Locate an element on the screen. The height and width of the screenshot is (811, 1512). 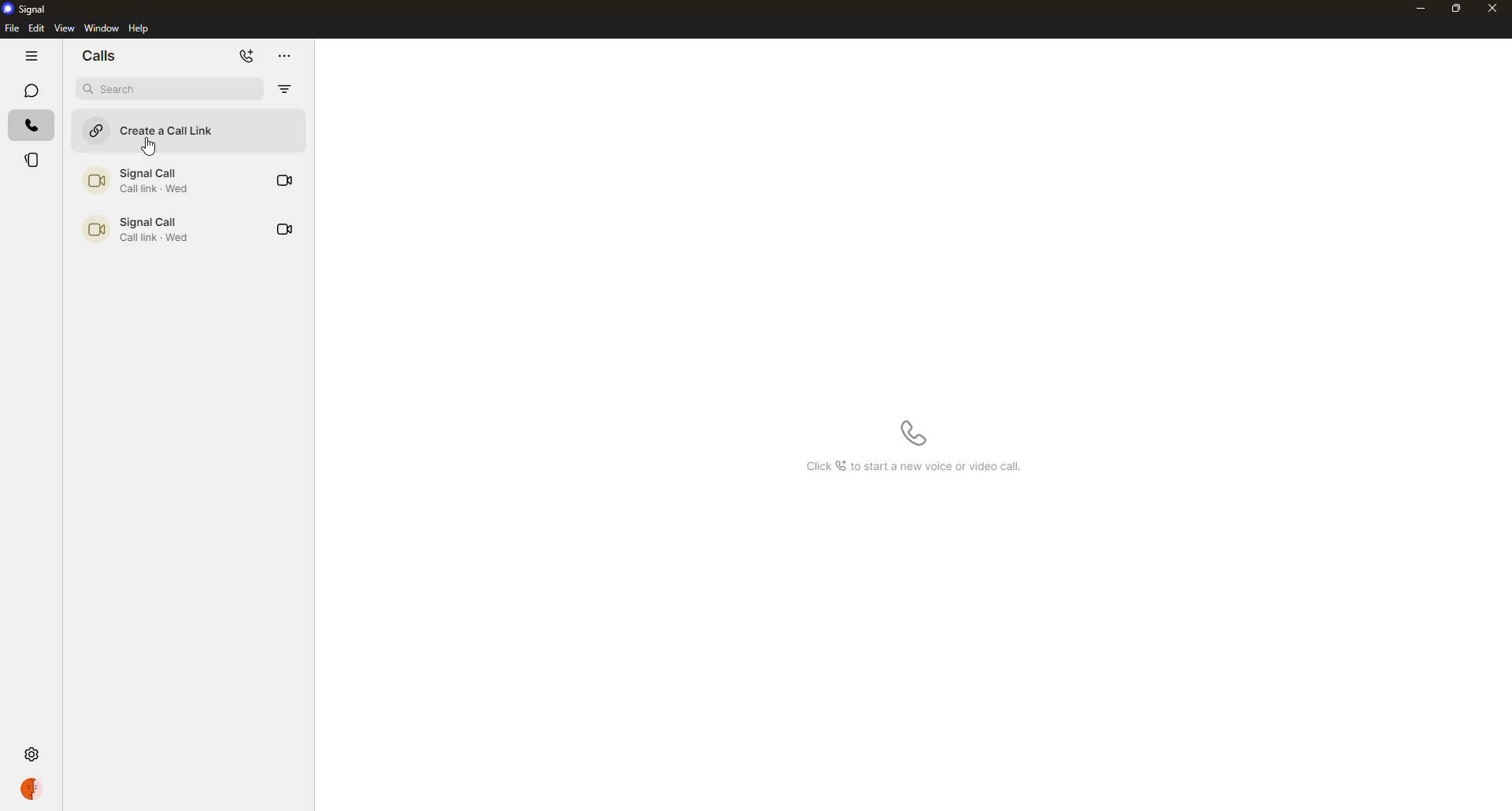
calls is located at coordinates (31, 126).